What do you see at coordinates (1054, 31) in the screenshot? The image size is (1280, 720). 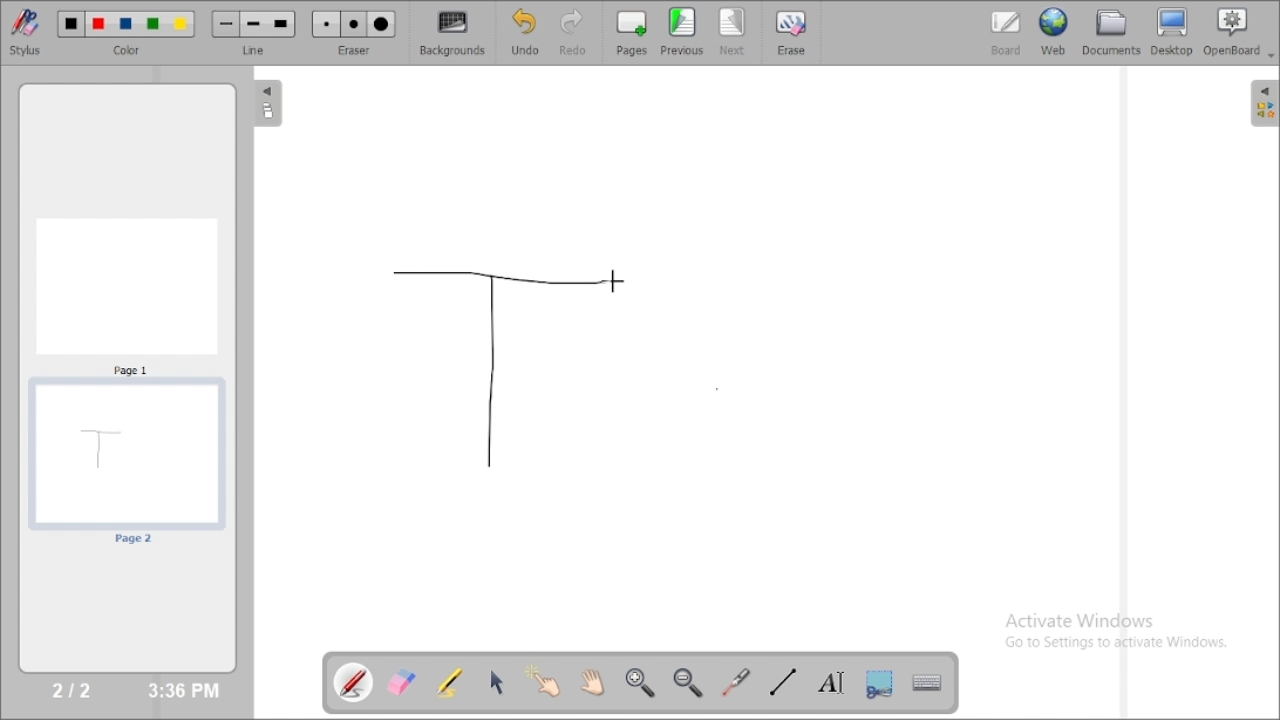 I see `web` at bounding box center [1054, 31].